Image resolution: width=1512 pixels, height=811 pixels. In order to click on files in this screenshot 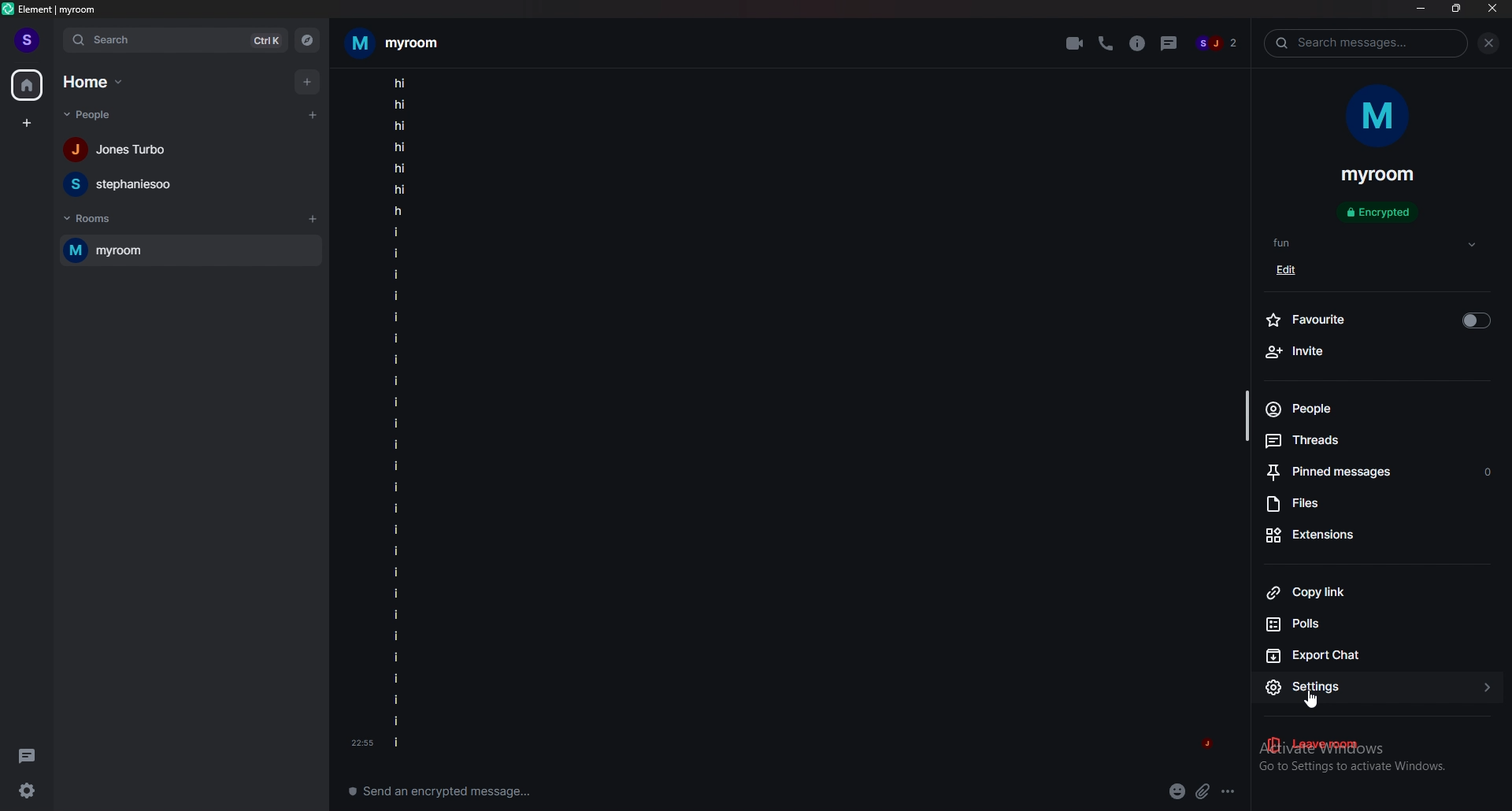, I will do `click(1377, 505)`.